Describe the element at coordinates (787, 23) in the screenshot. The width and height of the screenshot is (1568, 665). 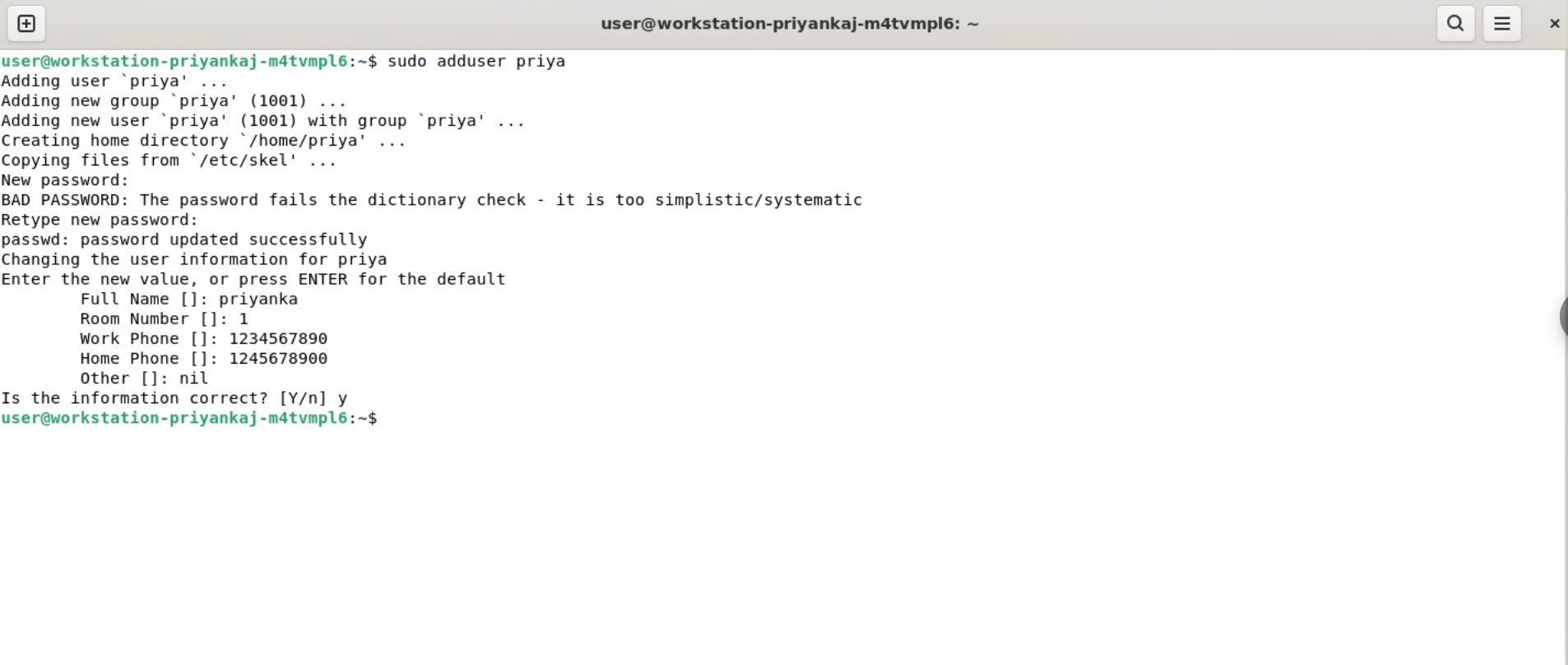
I see `user@workstation-priyankaj-m4tvmpl6:~` at that location.